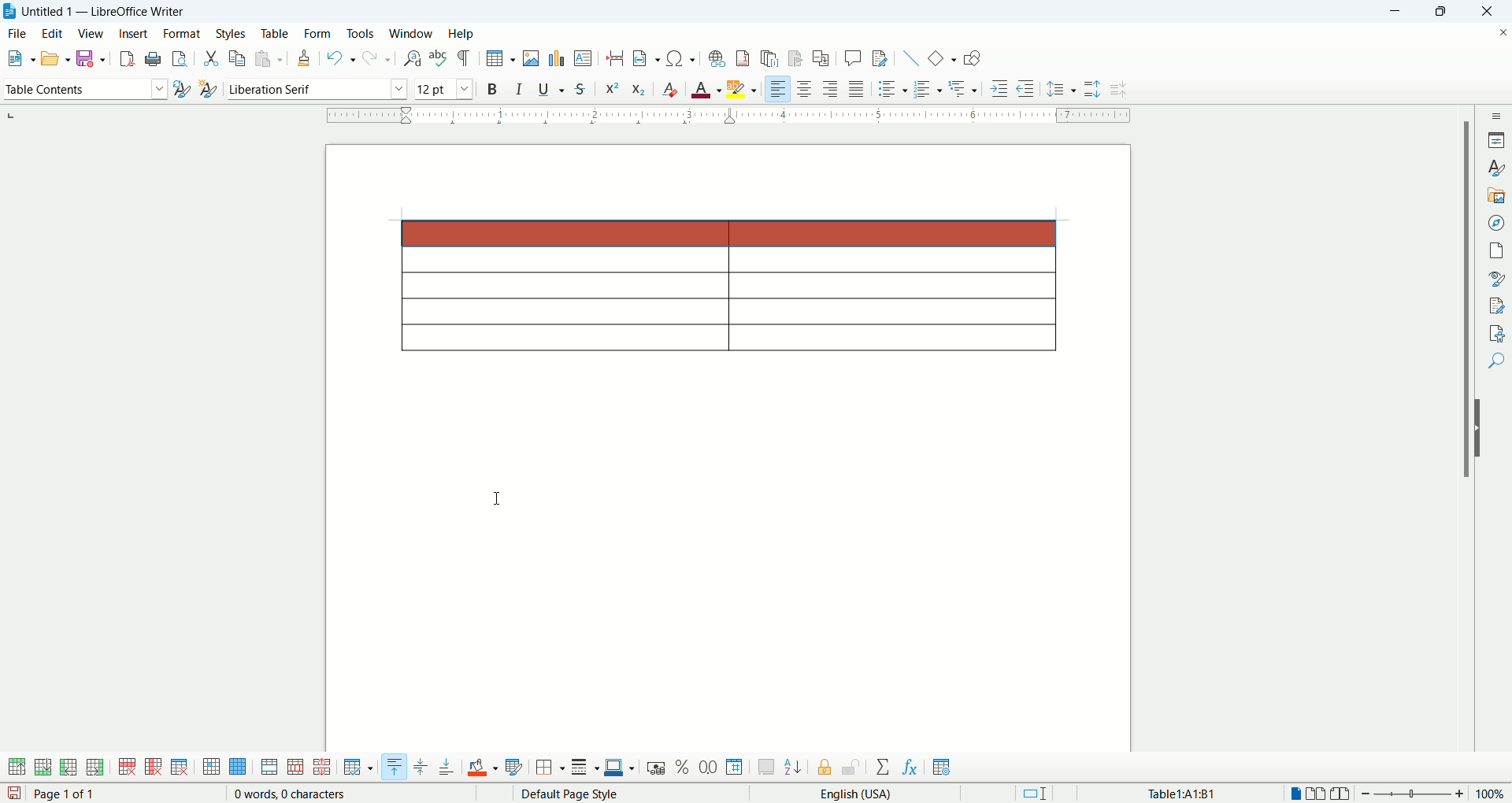  What do you see at coordinates (271, 767) in the screenshot?
I see `merge cells` at bounding box center [271, 767].